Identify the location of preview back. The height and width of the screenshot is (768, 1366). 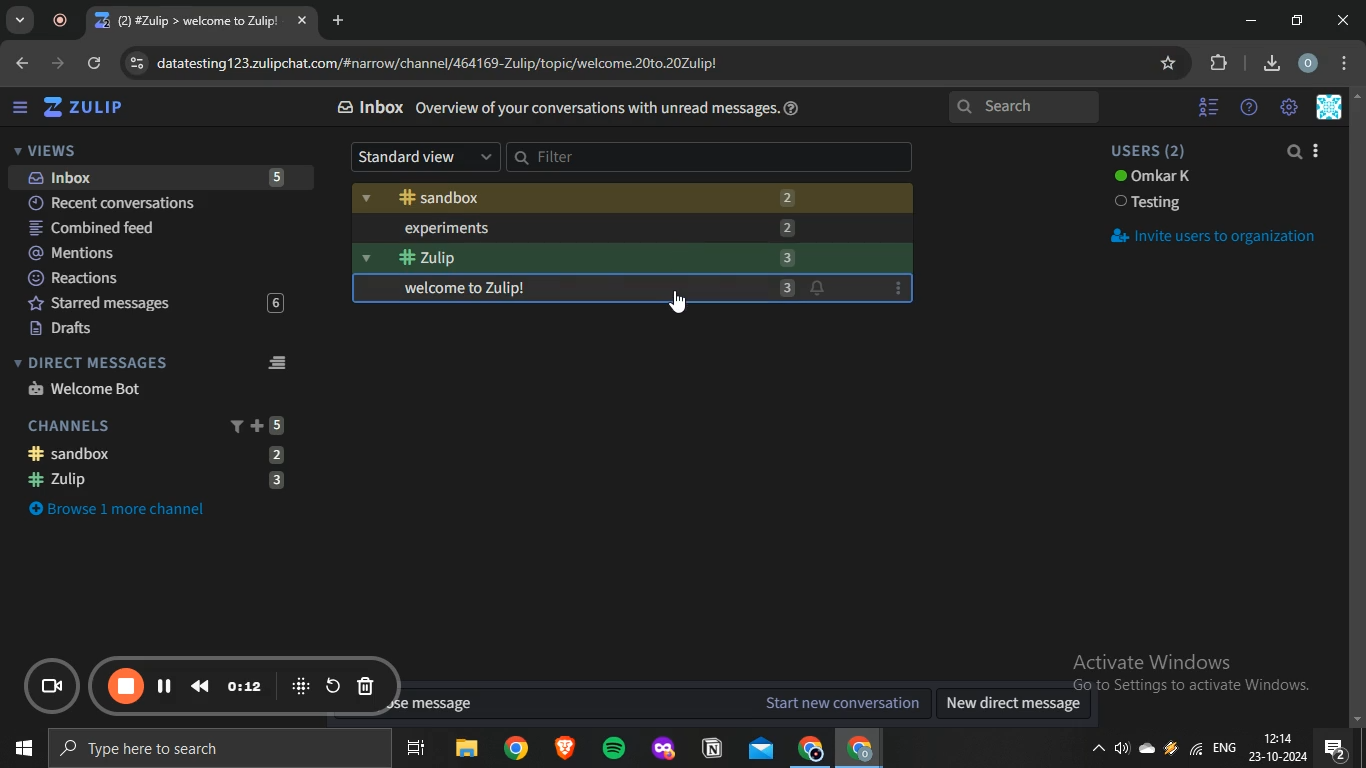
(200, 685).